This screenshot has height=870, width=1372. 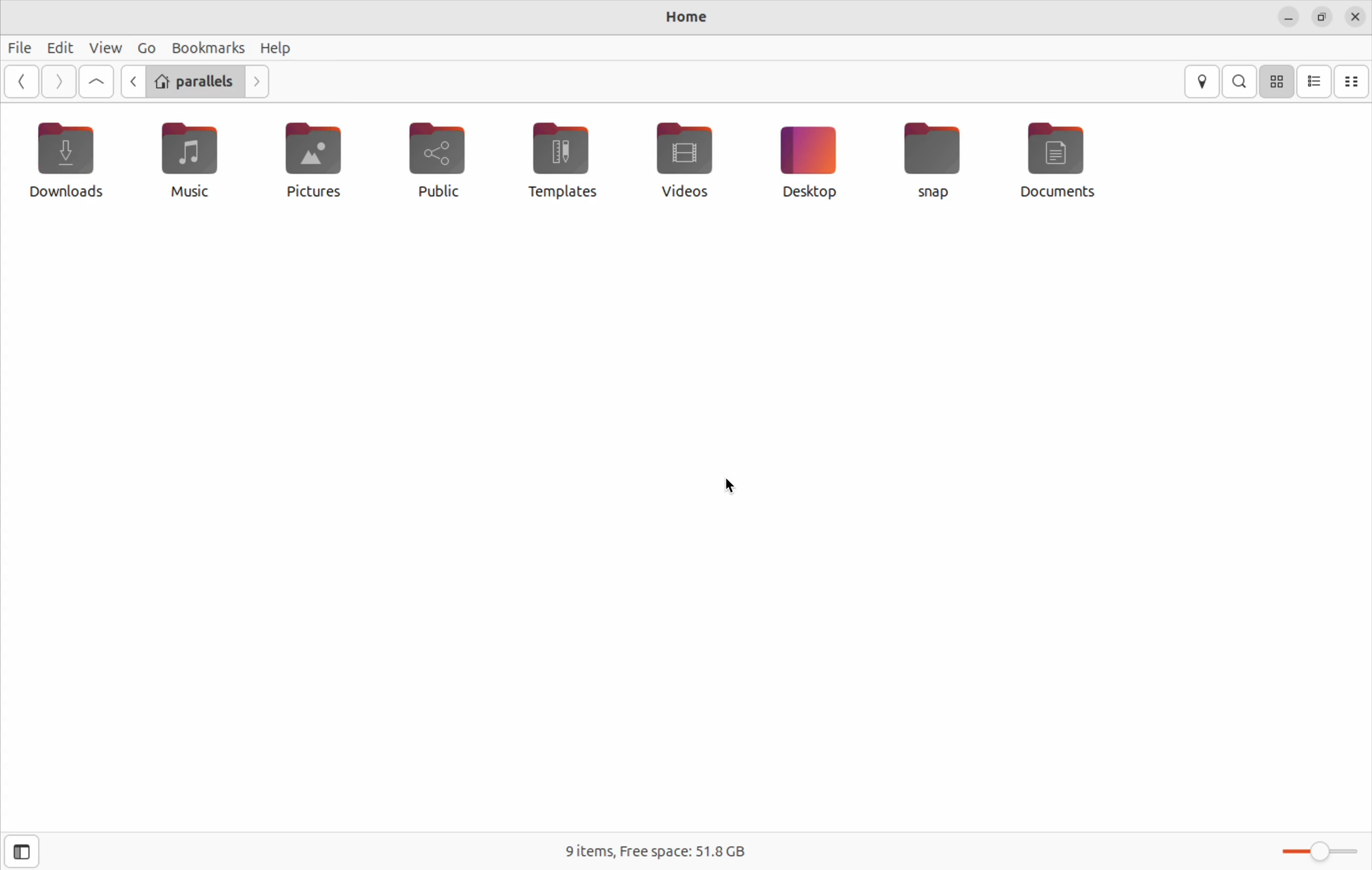 I want to click on desktop icon , so click(x=818, y=165).